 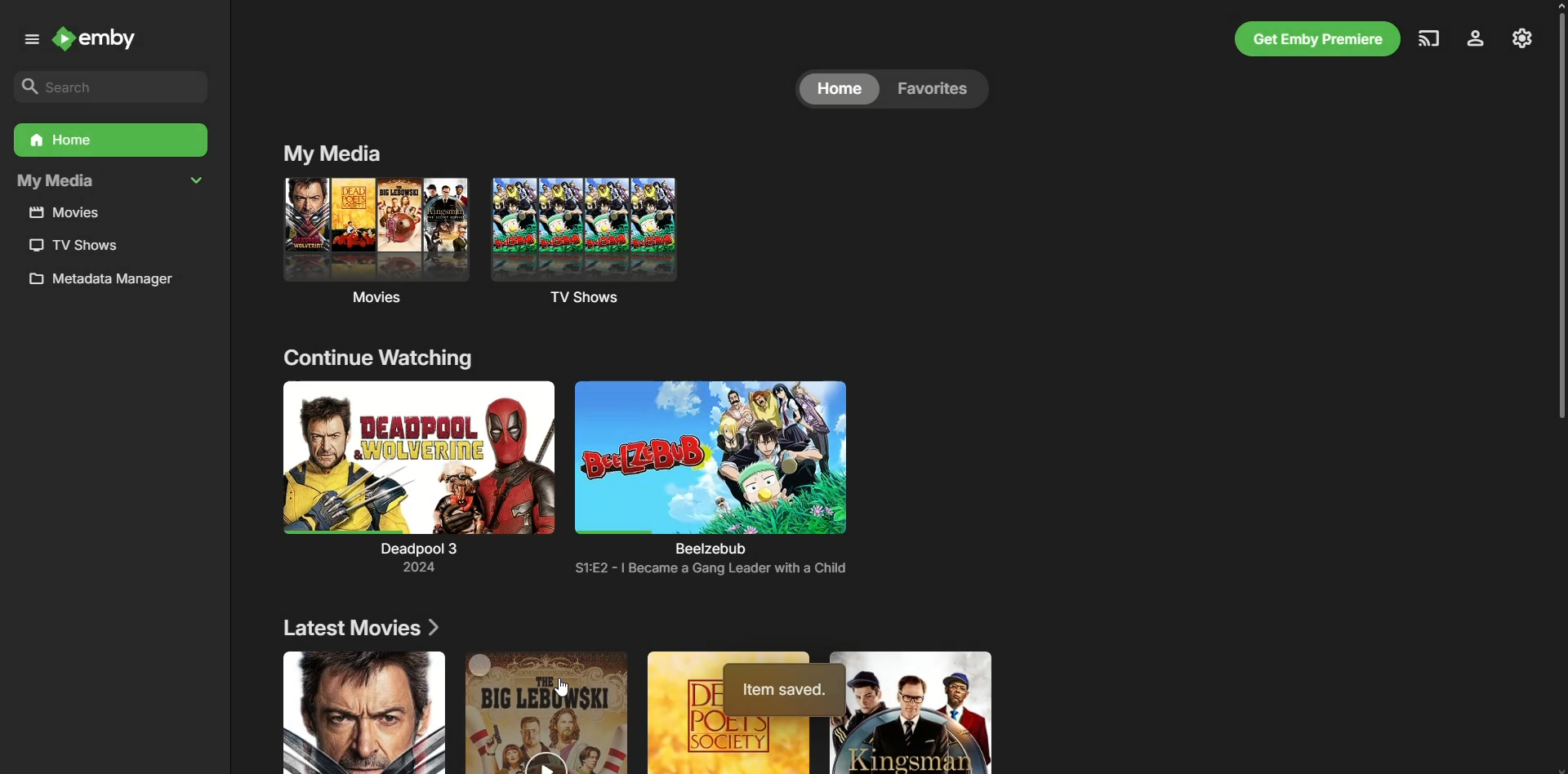 What do you see at coordinates (710, 467) in the screenshot?
I see `Beelzebub` at bounding box center [710, 467].